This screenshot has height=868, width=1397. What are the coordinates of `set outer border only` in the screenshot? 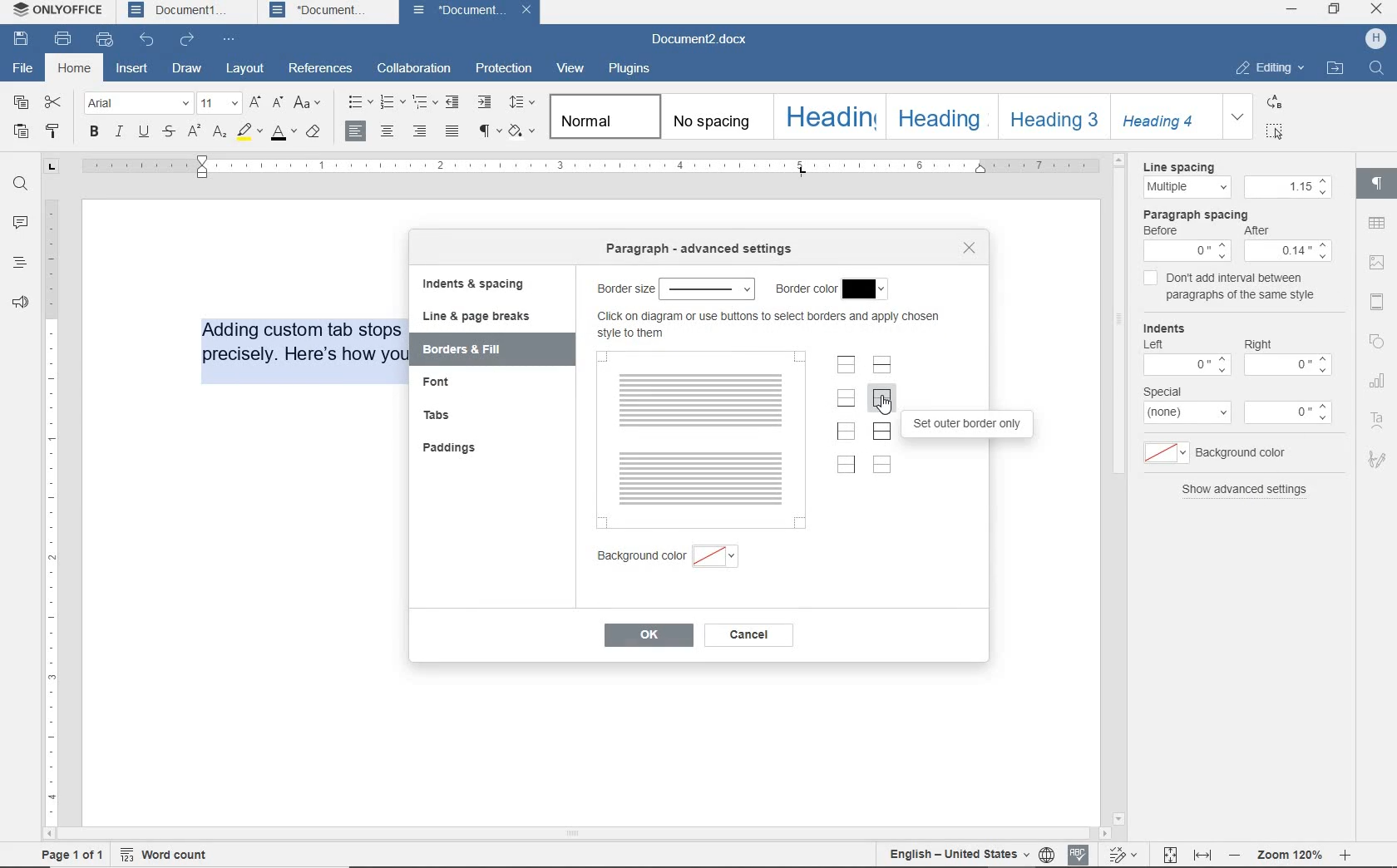 It's located at (883, 401).